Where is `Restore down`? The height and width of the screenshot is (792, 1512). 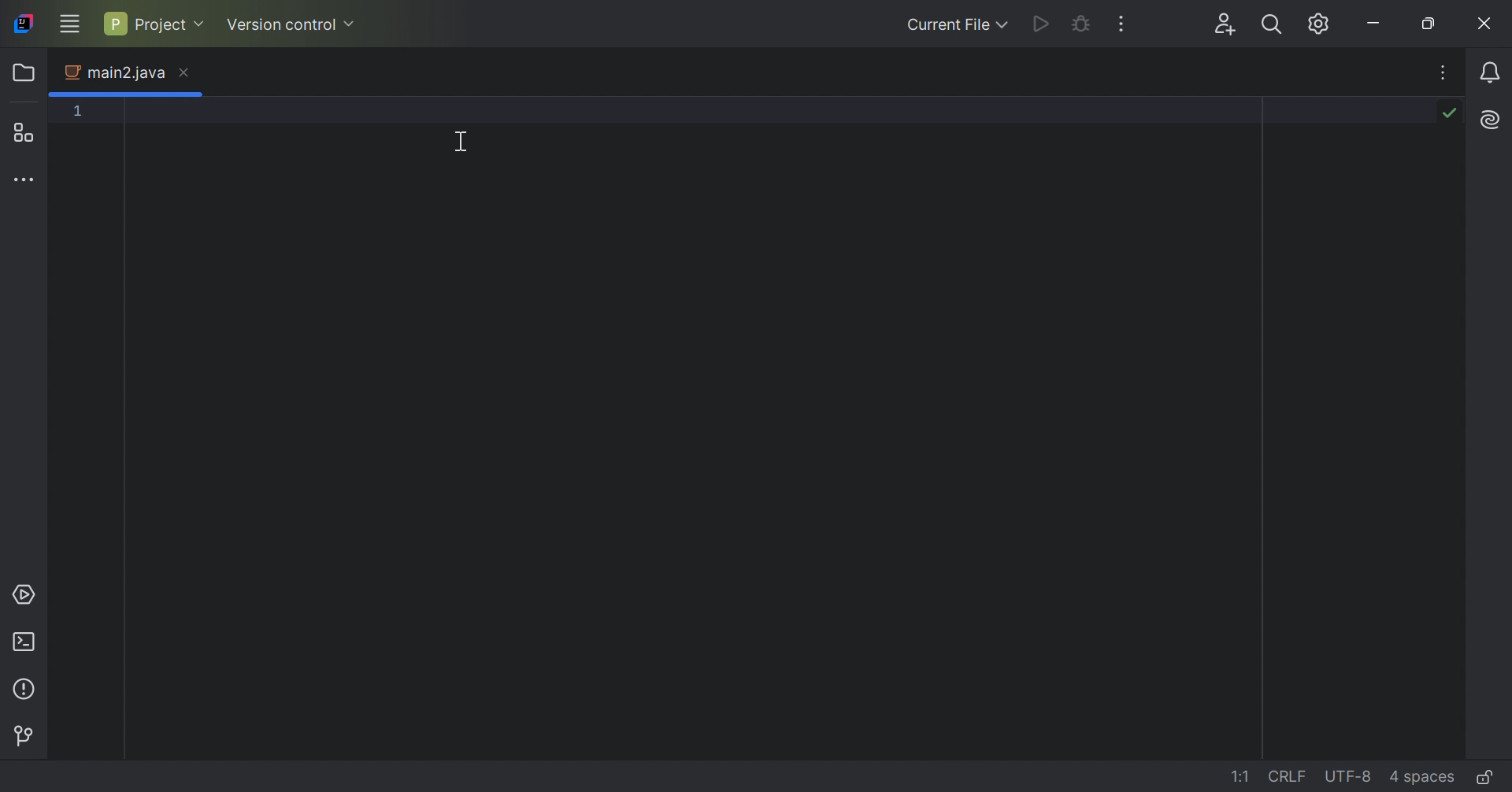
Restore down is located at coordinates (1428, 24).